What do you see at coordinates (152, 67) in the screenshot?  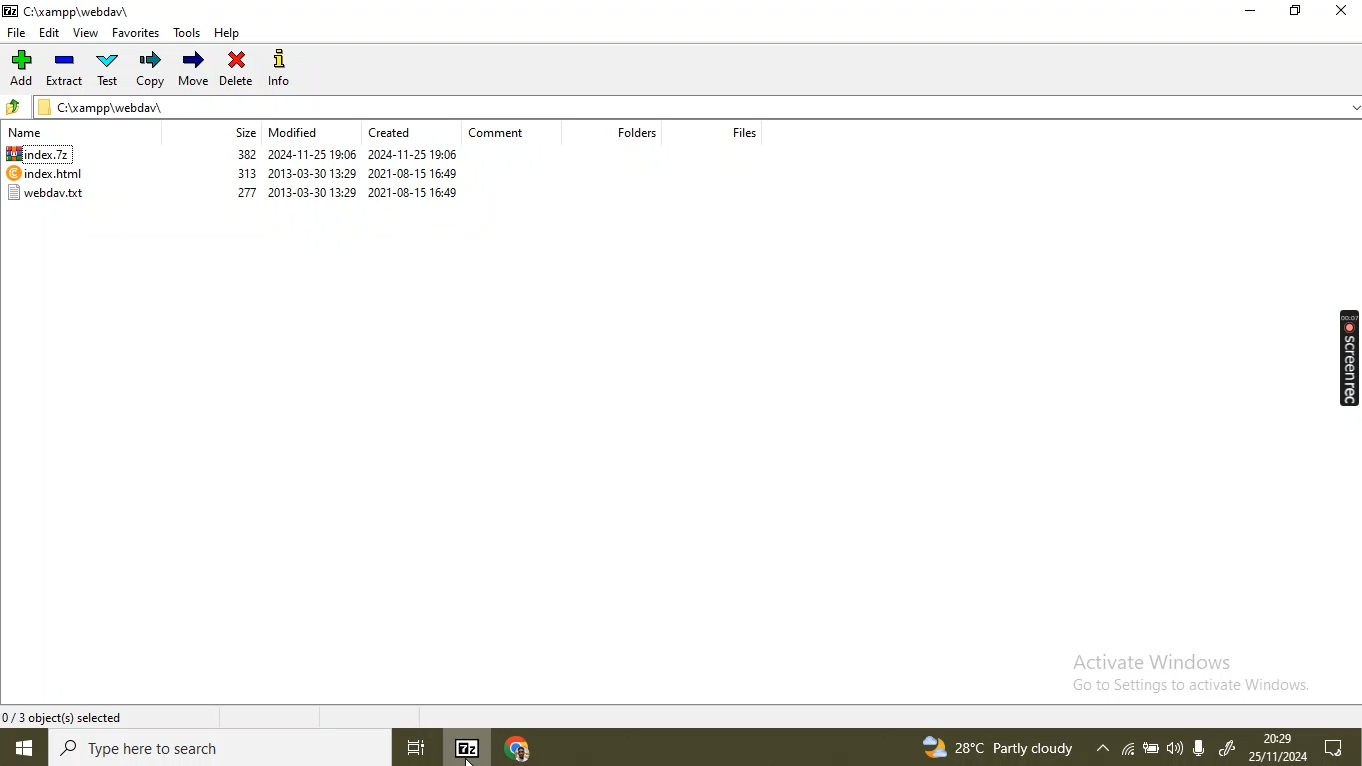 I see `copy` at bounding box center [152, 67].